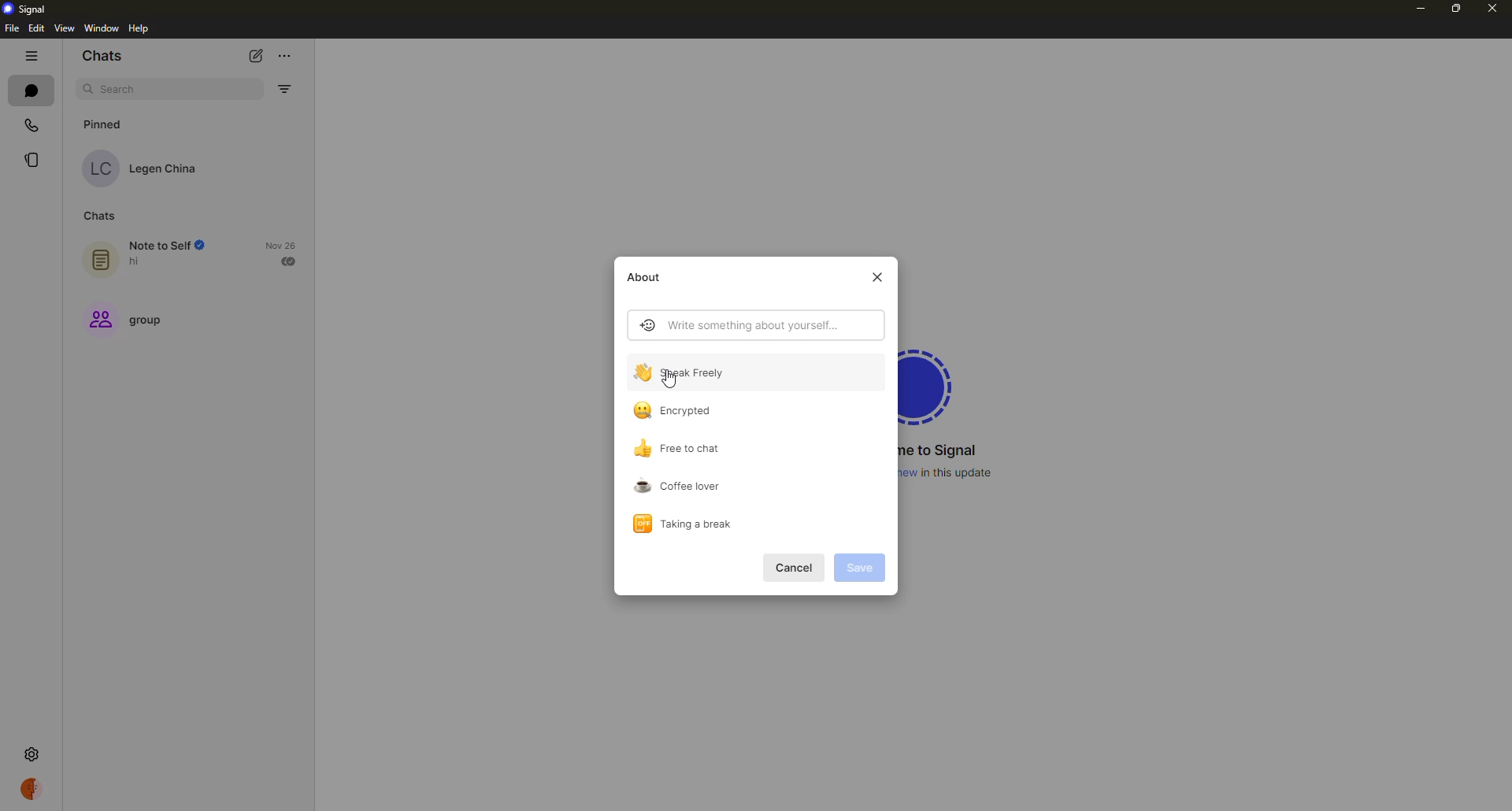 This screenshot has height=811, width=1512. I want to click on window, so click(102, 28).